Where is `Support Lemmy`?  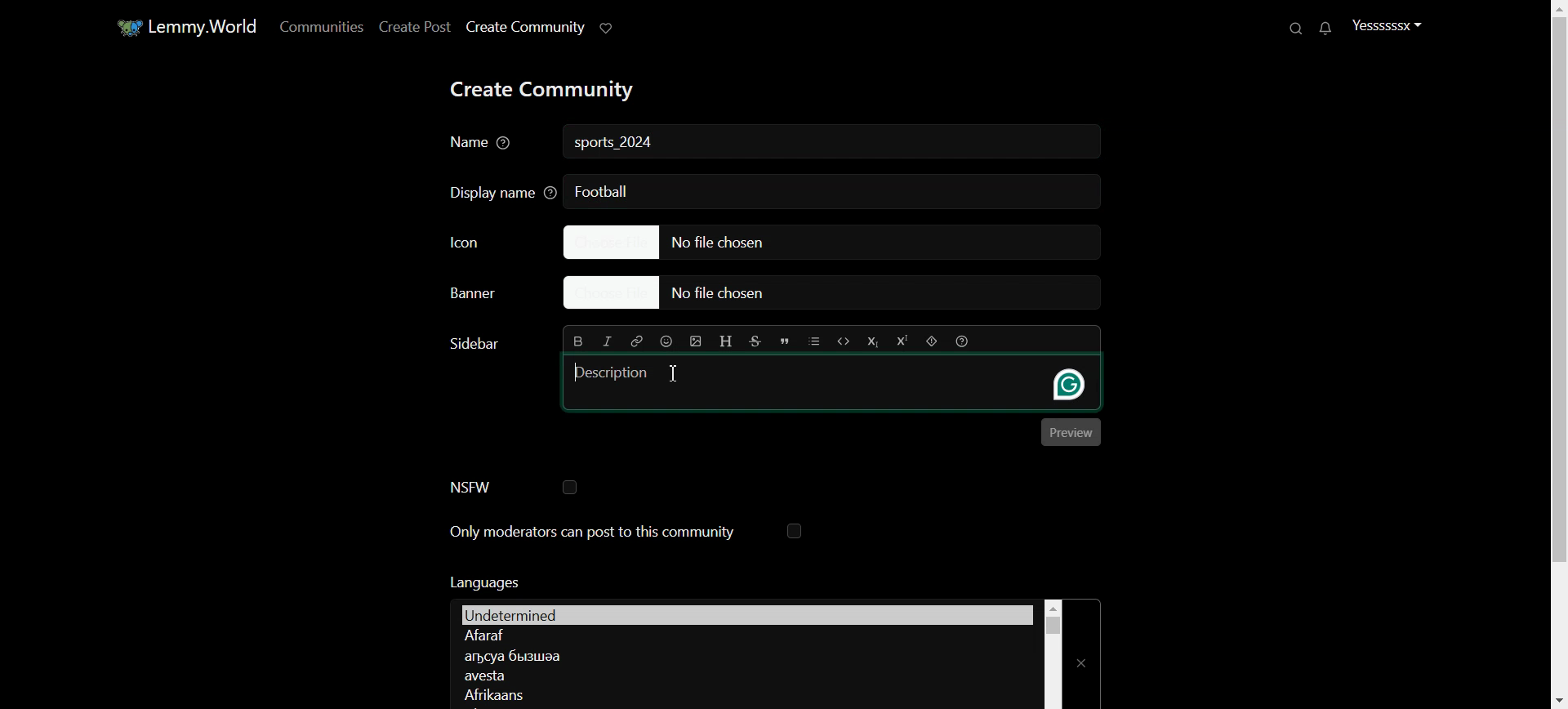 Support Lemmy is located at coordinates (608, 27).